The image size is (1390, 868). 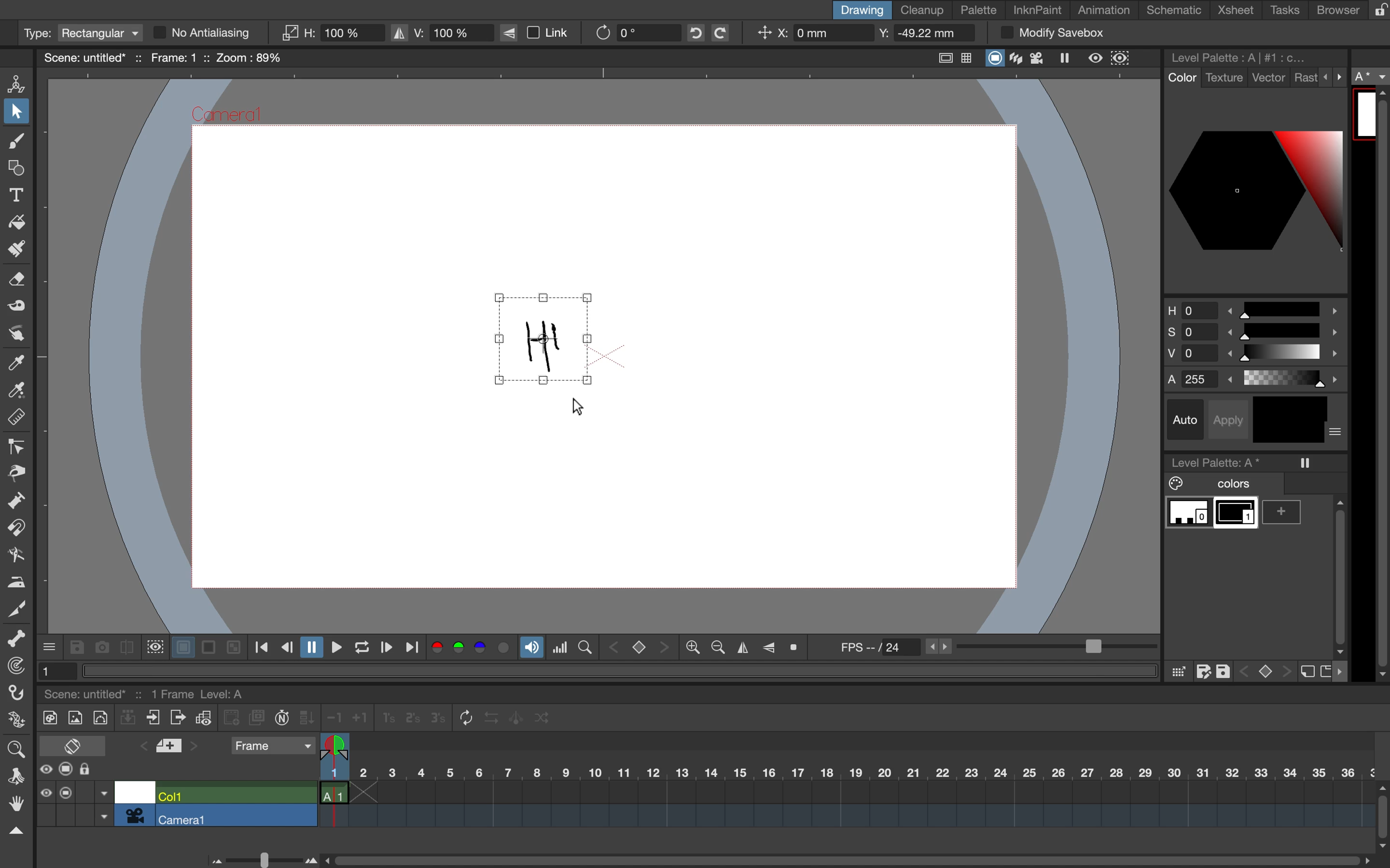 What do you see at coordinates (1223, 78) in the screenshot?
I see `texture` at bounding box center [1223, 78].